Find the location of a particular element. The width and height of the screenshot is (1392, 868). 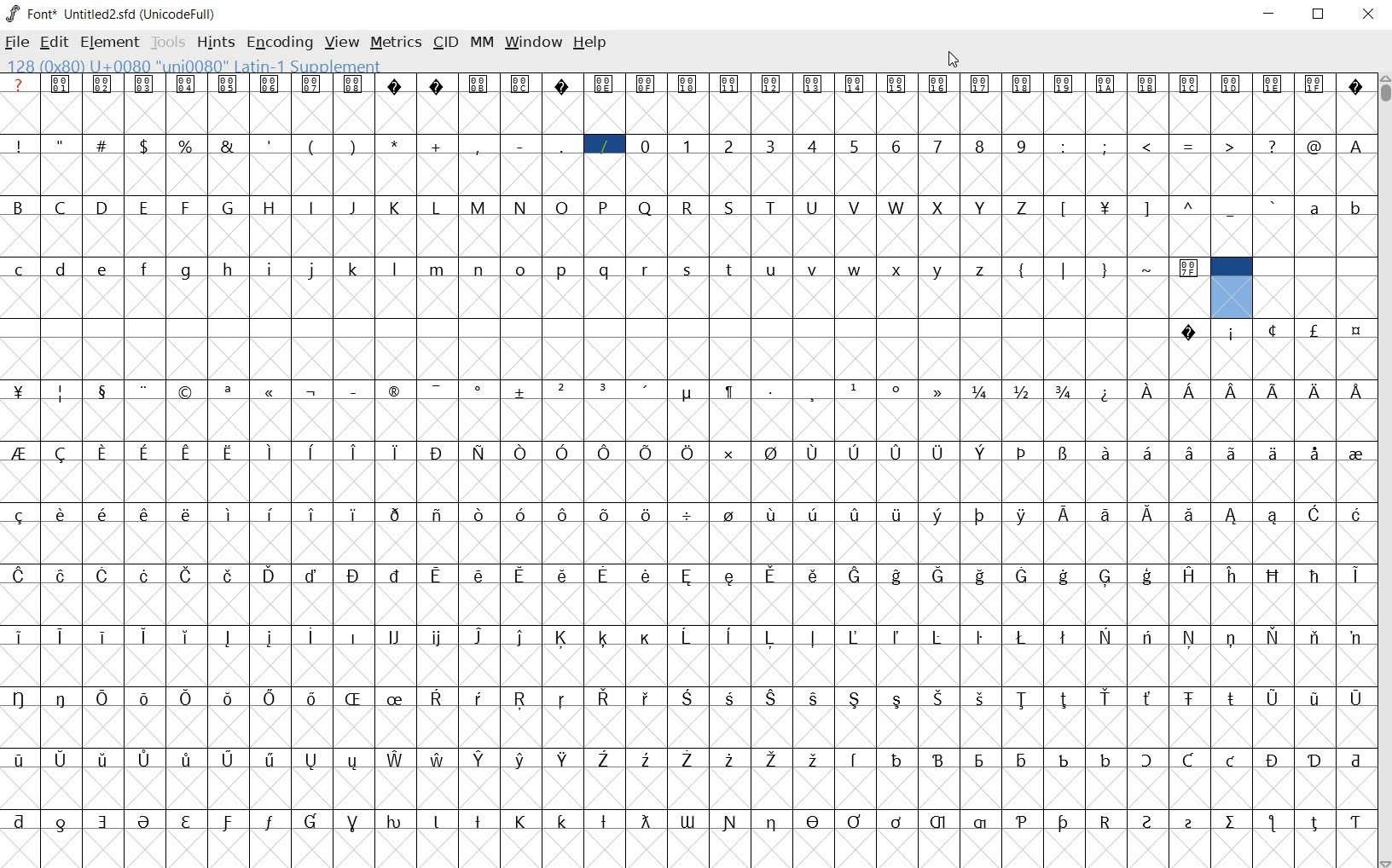

Symbol is located at coordinates (148, 390).